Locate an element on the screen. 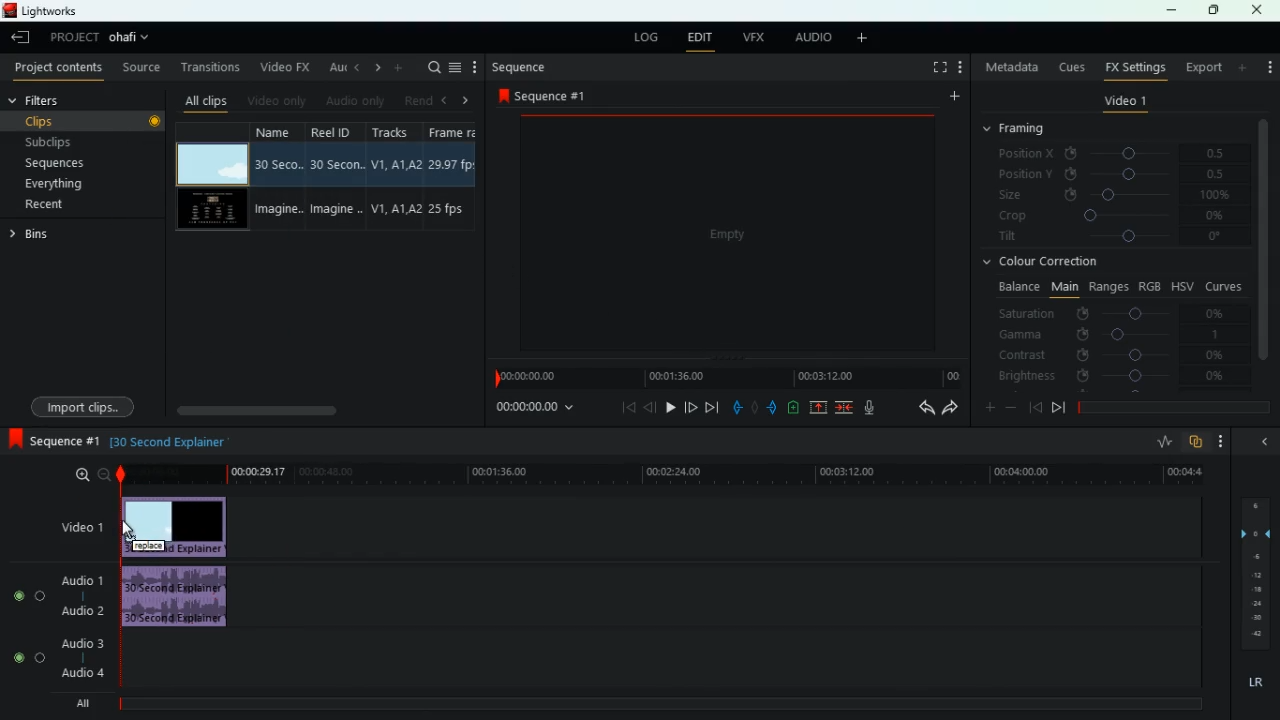 This screenshot has width=1280, height=720. rend is located at coordinates (418, 99).